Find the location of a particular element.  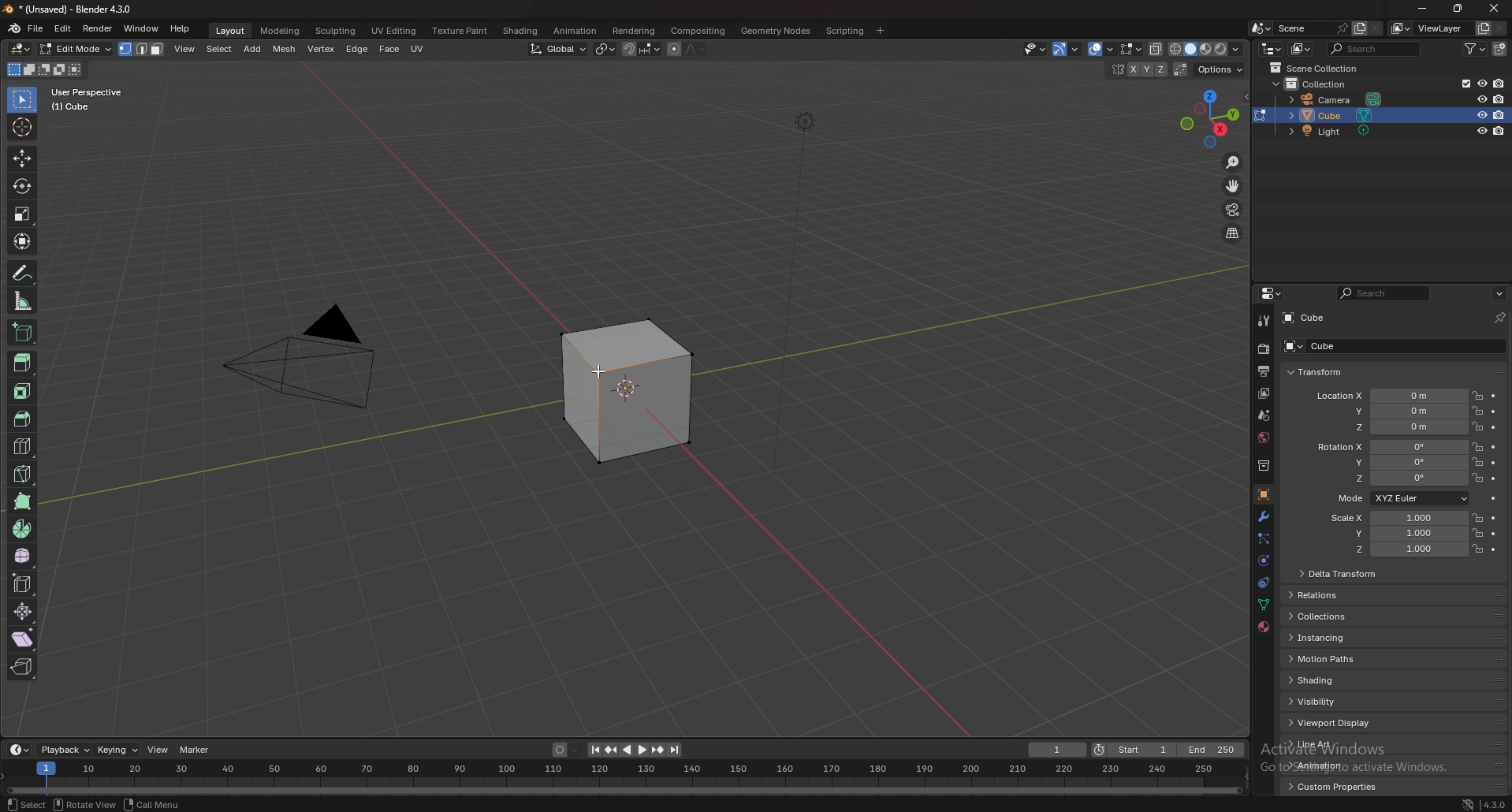

add workspace is located at coordinates (879, 31).